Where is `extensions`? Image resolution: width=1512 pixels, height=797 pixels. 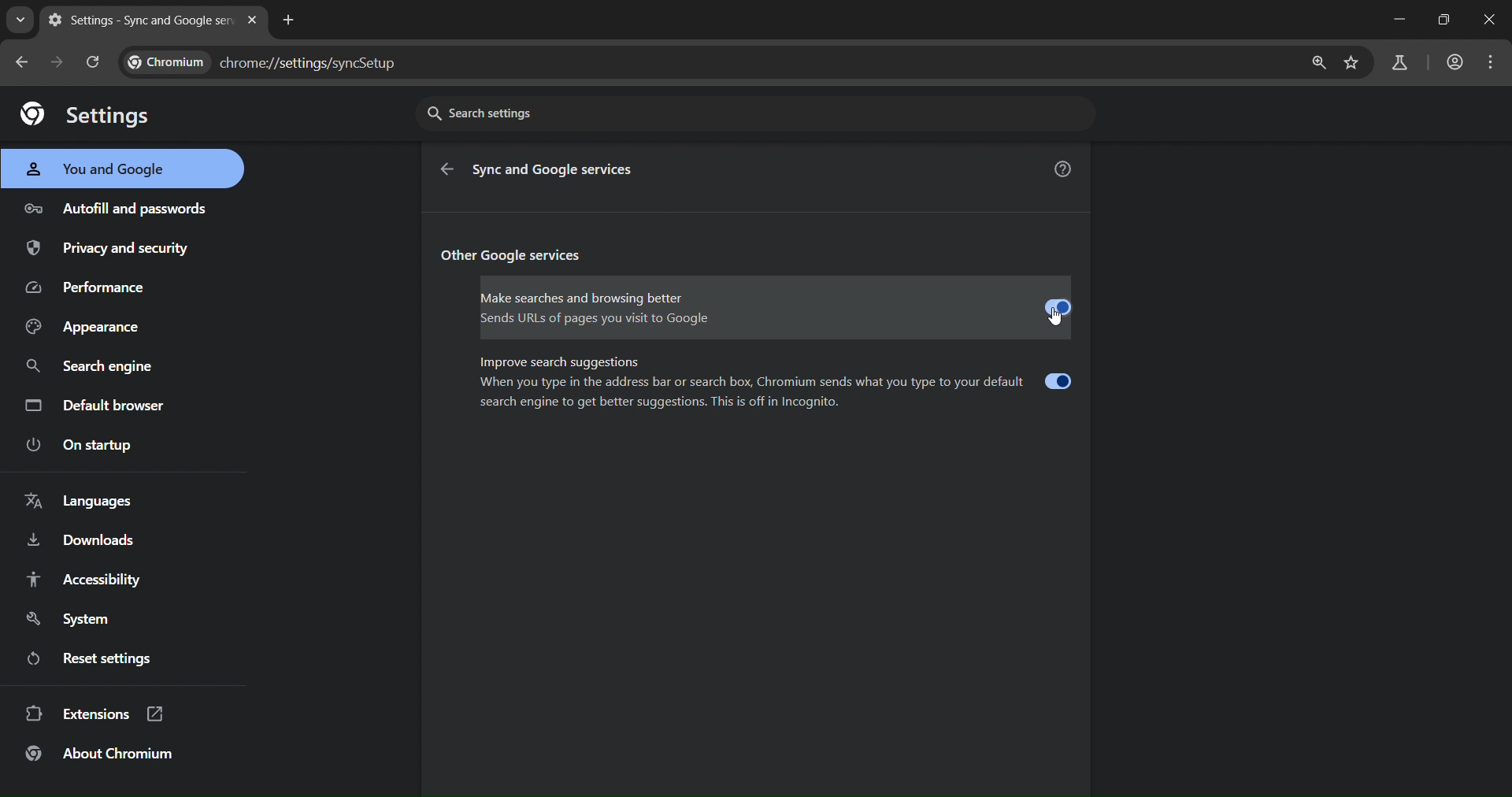 extensions is located at coordinates (98, 714).